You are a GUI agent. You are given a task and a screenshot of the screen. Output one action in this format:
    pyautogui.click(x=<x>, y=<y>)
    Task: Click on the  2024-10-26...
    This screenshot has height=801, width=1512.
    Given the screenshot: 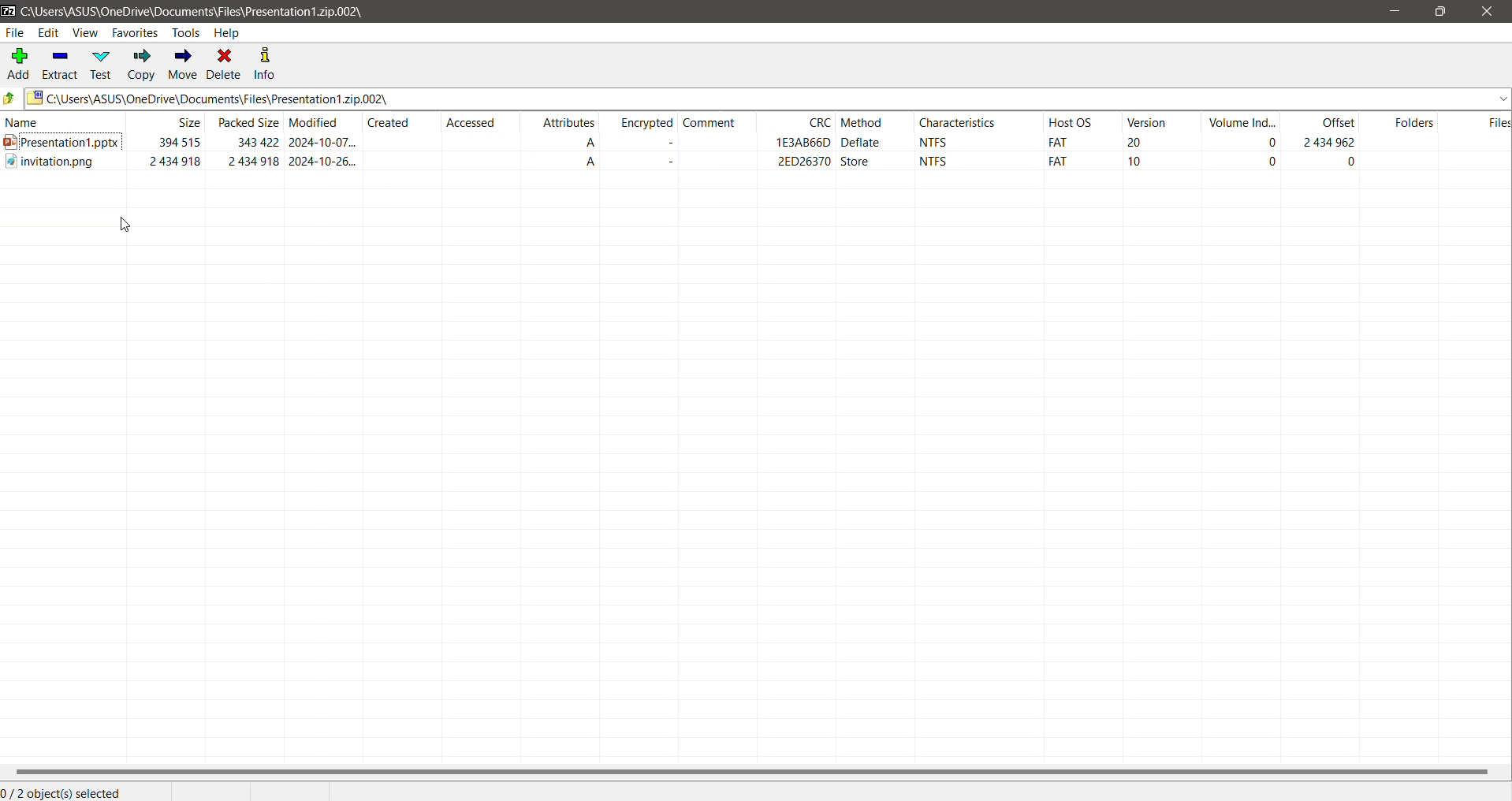 What is the action you would take?
    pyautogui.click(x=327, y=162)
    